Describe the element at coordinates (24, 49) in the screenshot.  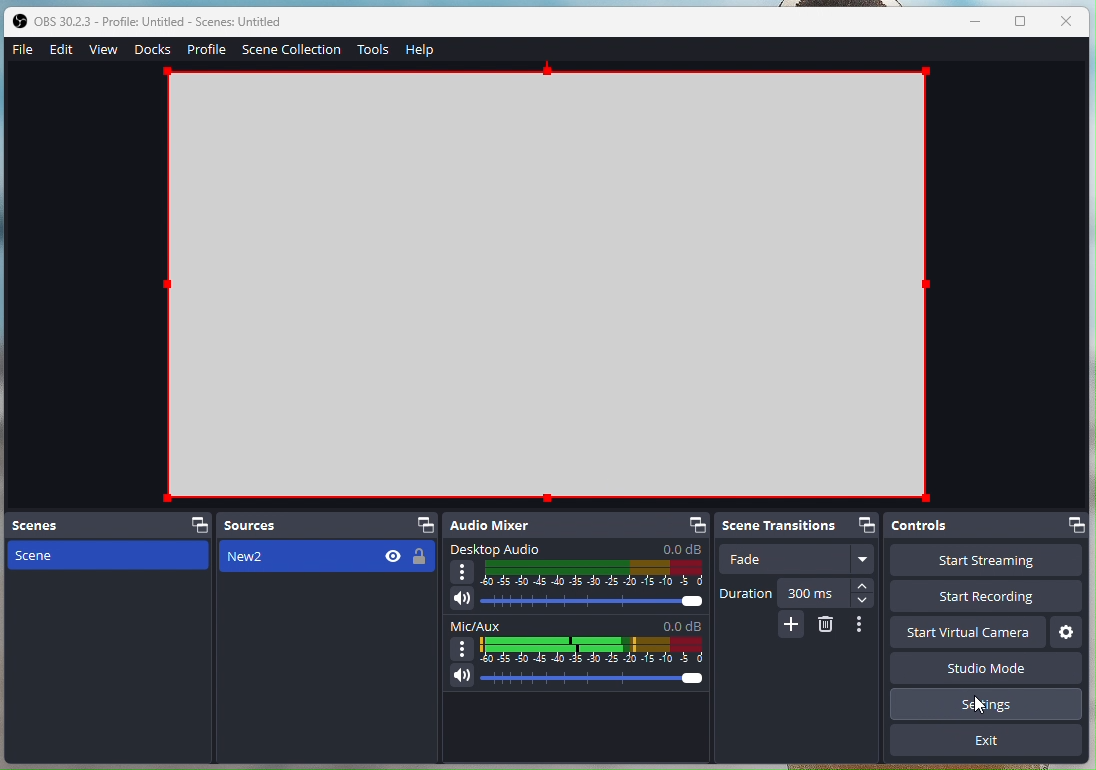
I see `File` at that location.